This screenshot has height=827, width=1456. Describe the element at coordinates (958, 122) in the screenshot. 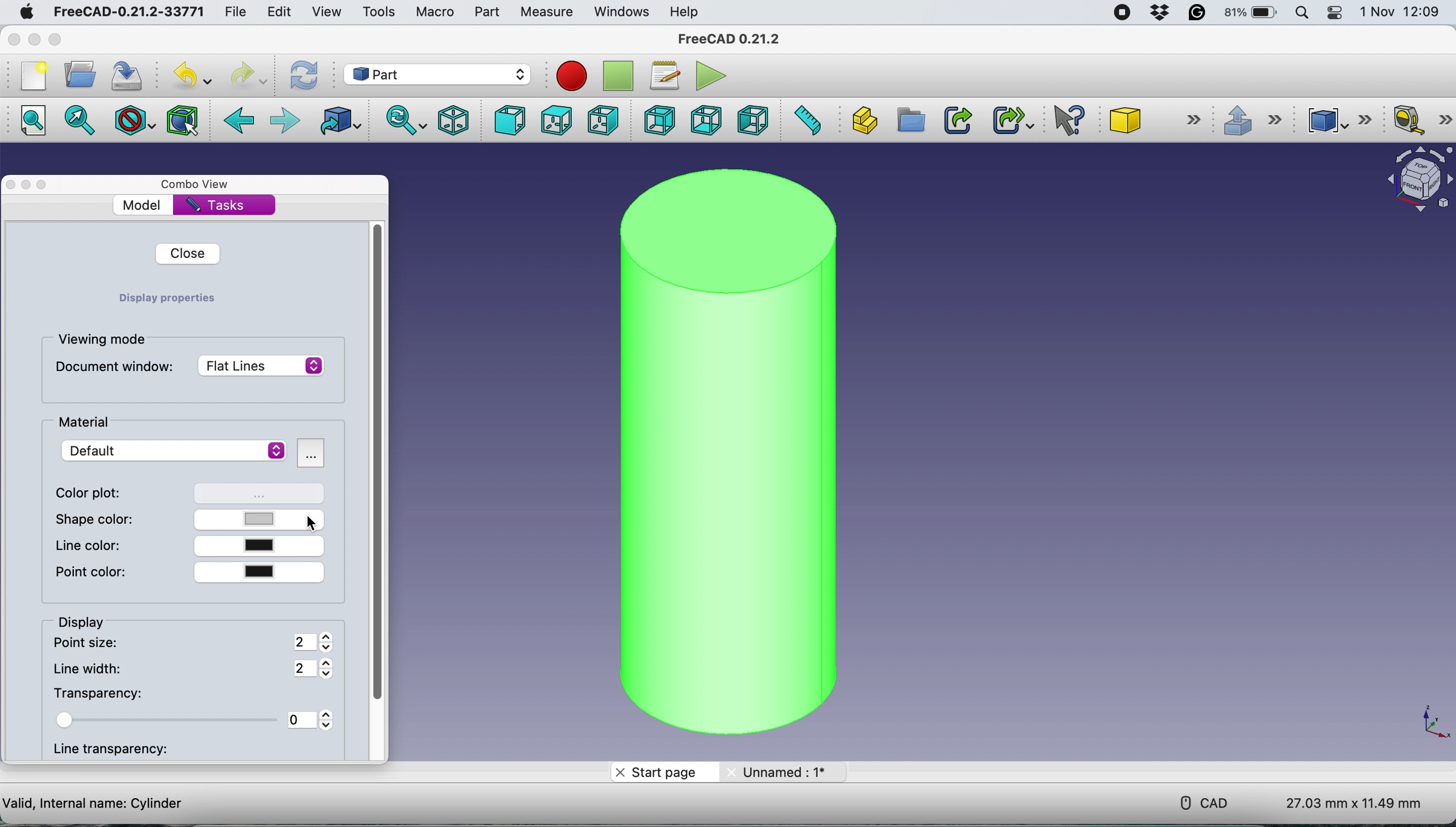

I see `make link` at that location.